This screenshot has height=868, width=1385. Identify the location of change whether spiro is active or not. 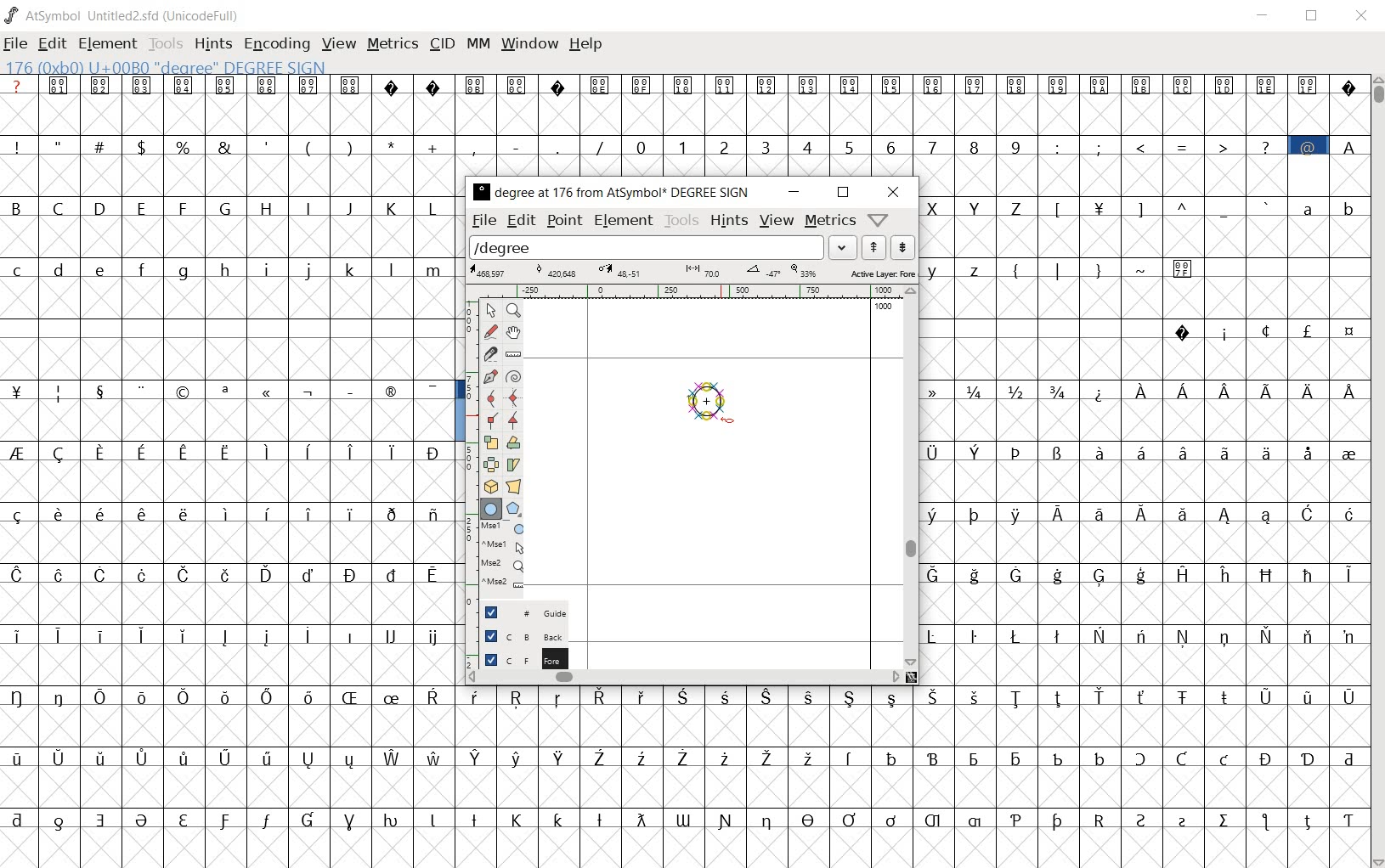
(513, 375).